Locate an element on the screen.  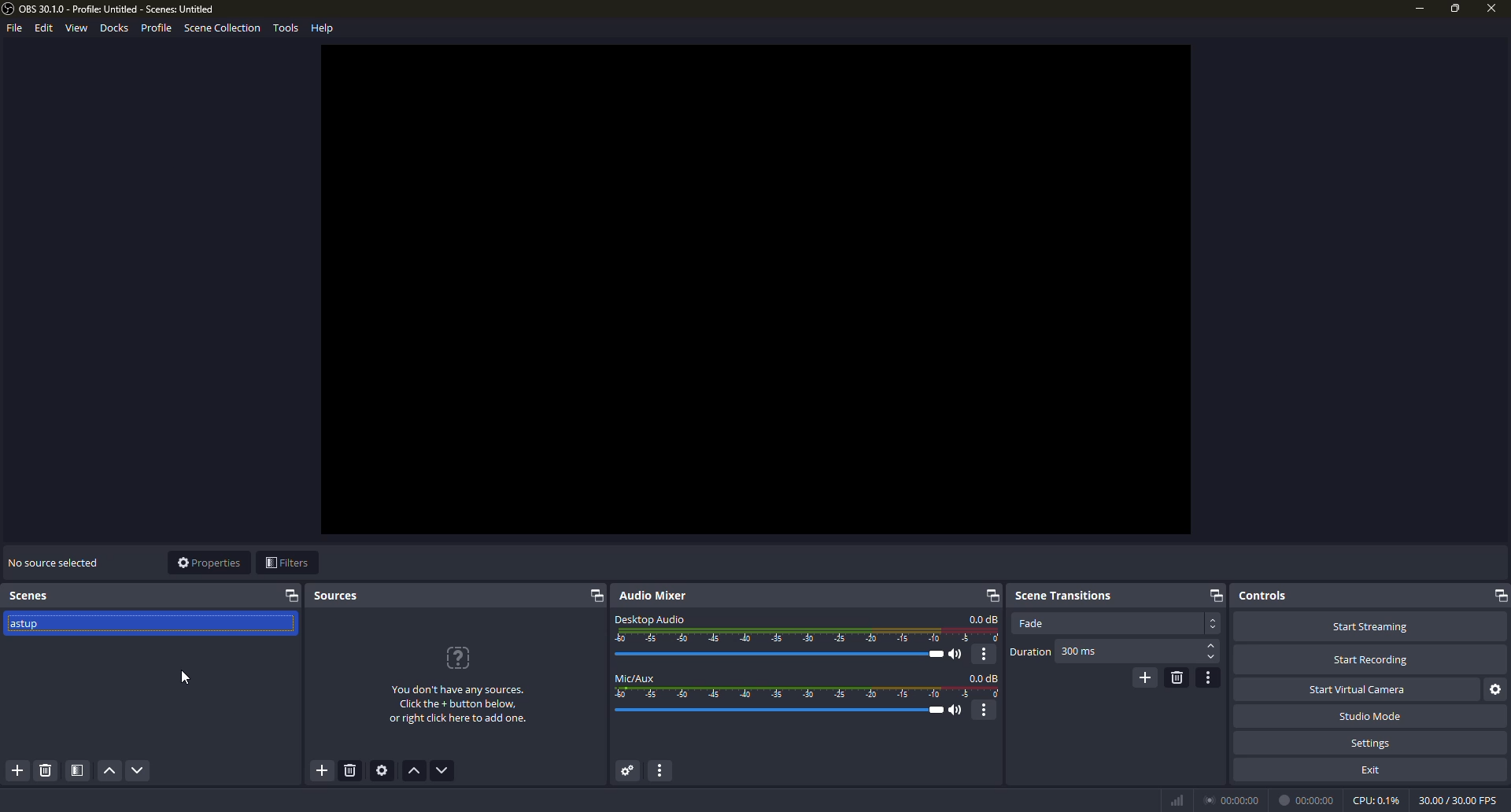
file is located at coordinates (13, 30).